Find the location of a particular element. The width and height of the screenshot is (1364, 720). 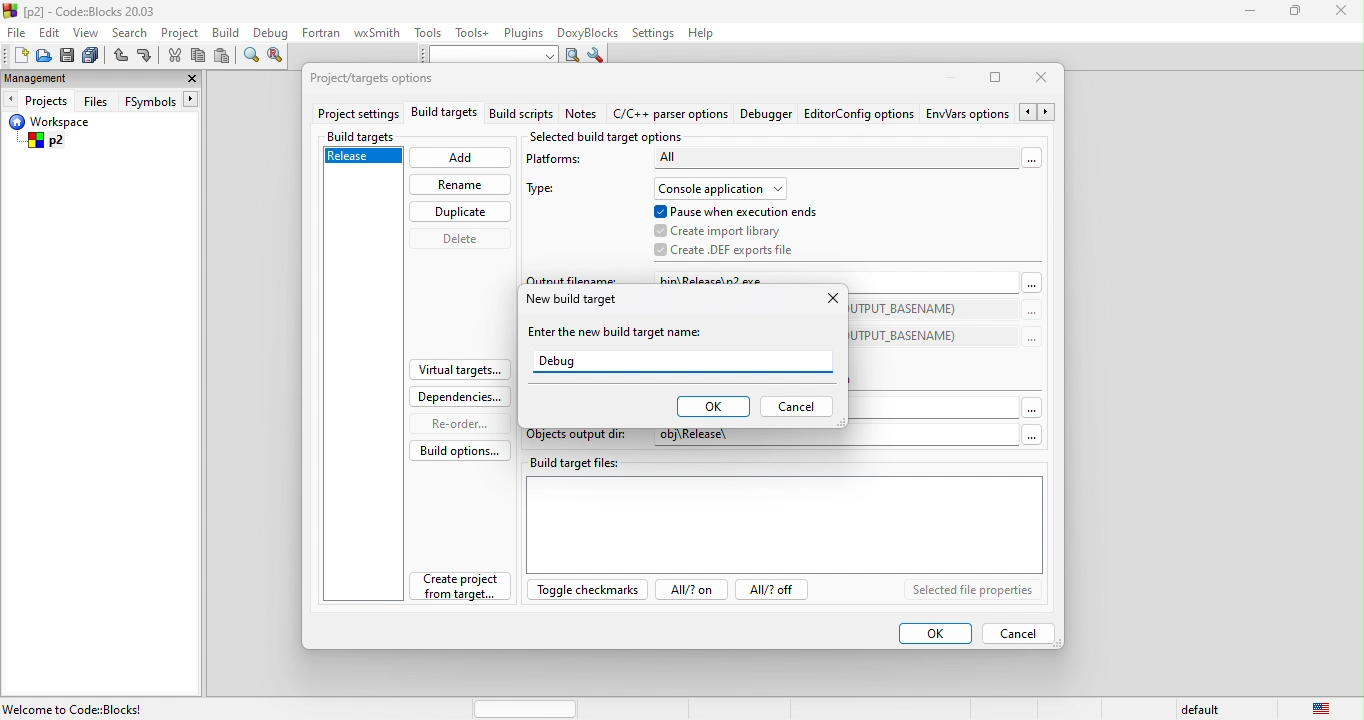

add is located at coordinates (463, 158).